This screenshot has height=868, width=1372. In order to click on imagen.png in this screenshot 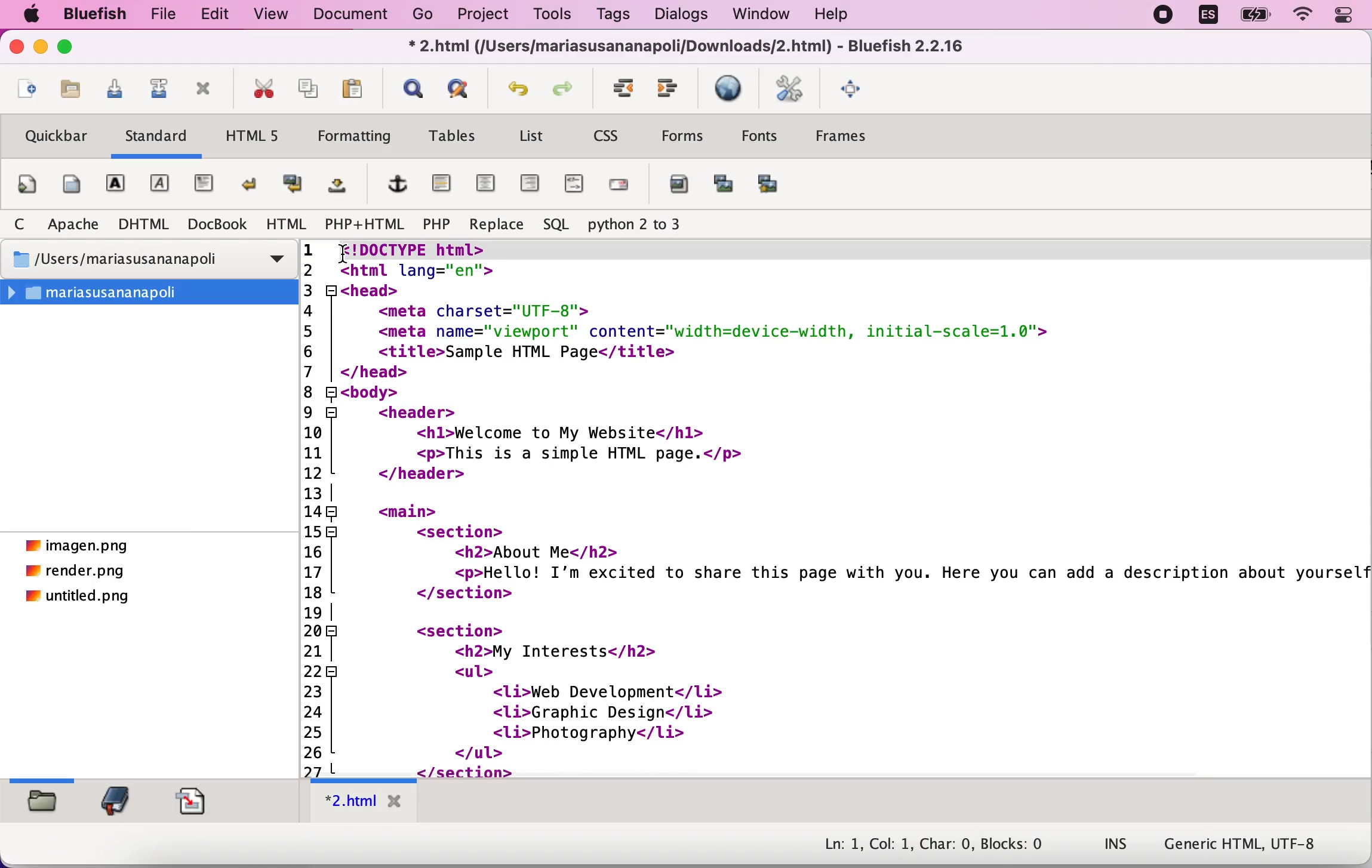, I will do `click(77, 546)`.